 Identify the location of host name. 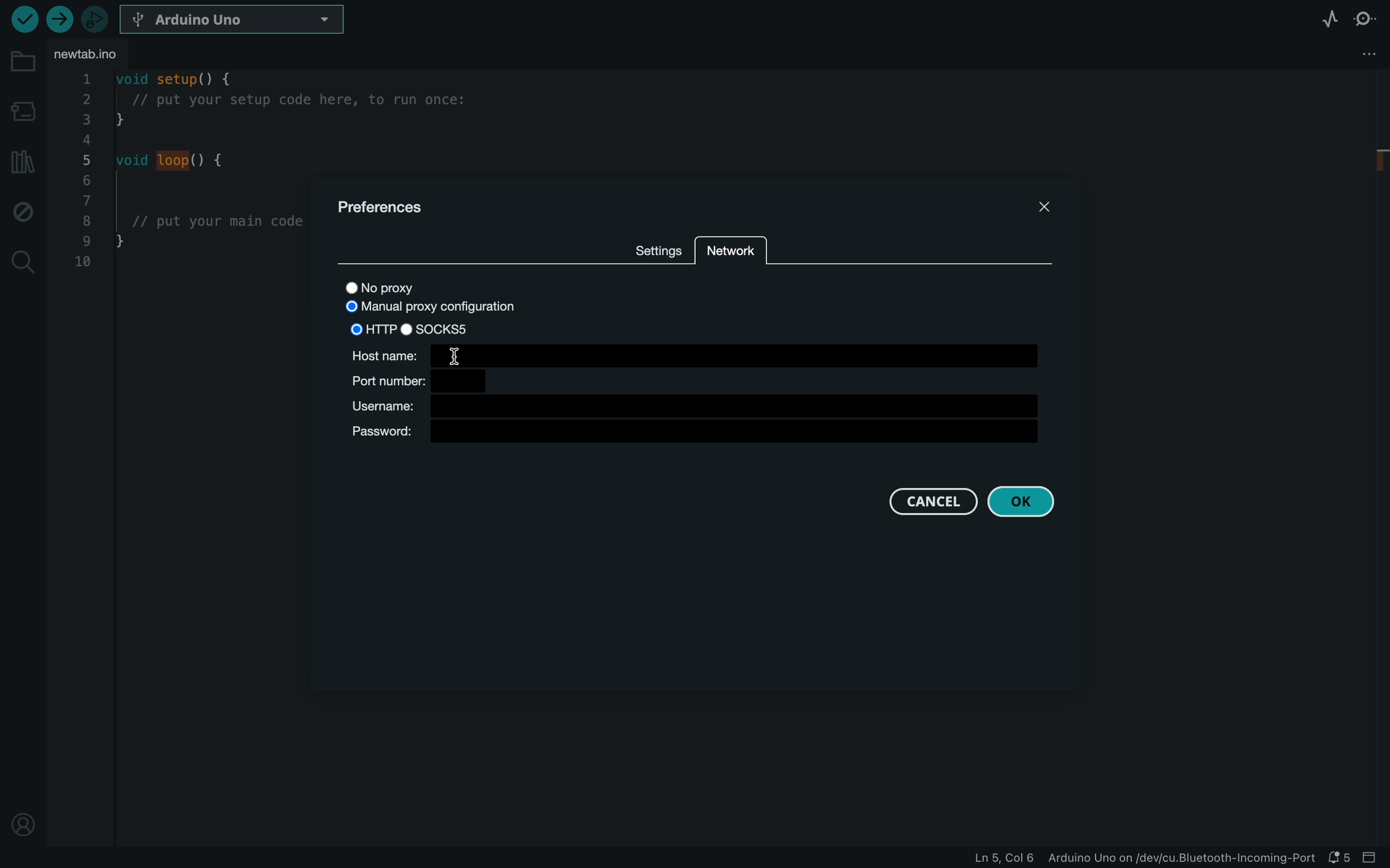
(693, 354).